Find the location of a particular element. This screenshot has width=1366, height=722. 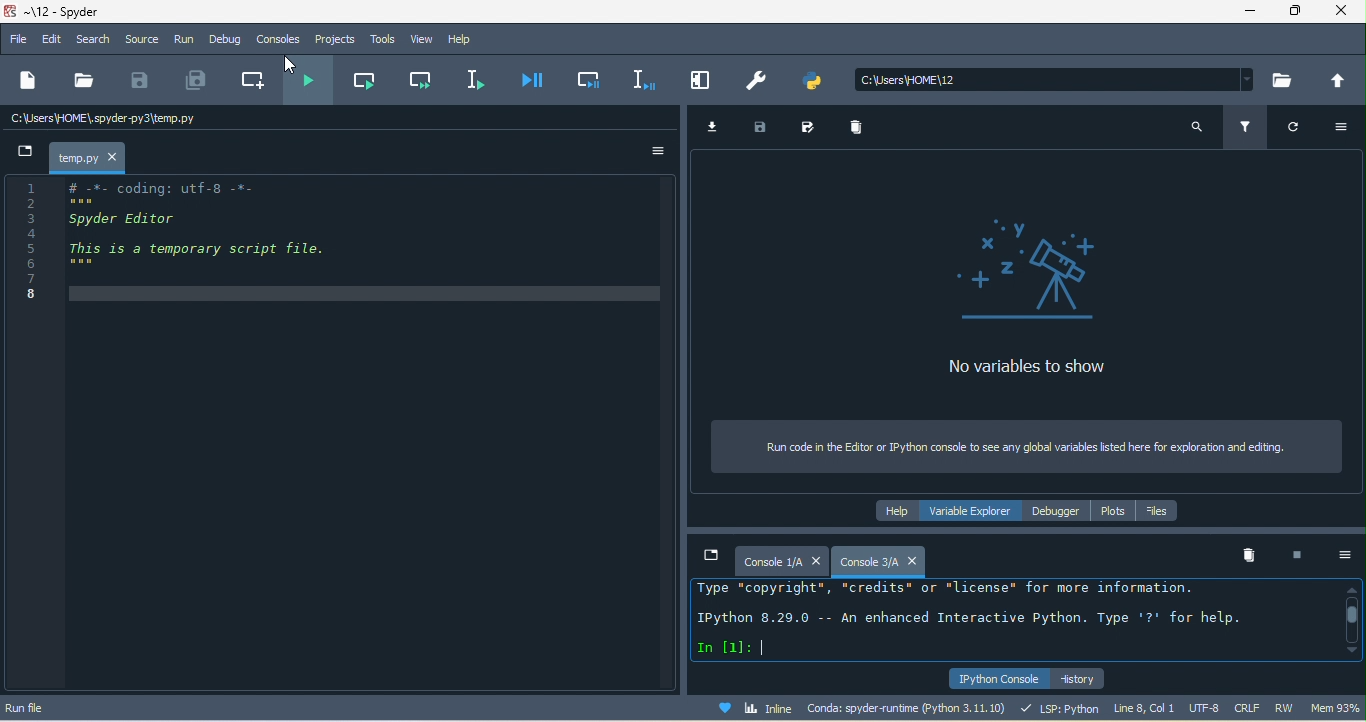

edit is located at coordinates (51, 39).